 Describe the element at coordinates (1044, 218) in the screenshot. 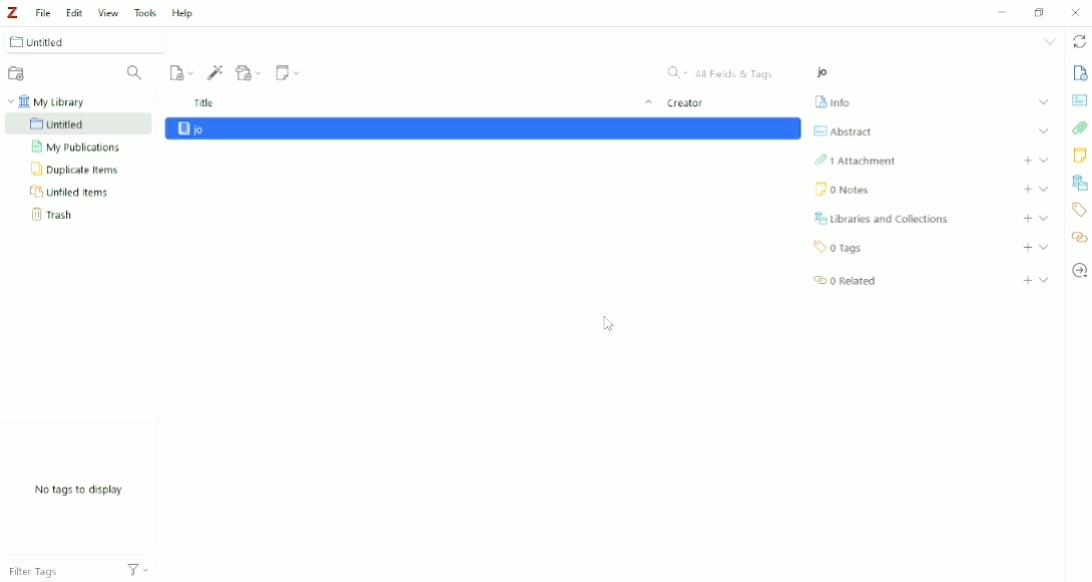

I see `Expand Section` at that location.